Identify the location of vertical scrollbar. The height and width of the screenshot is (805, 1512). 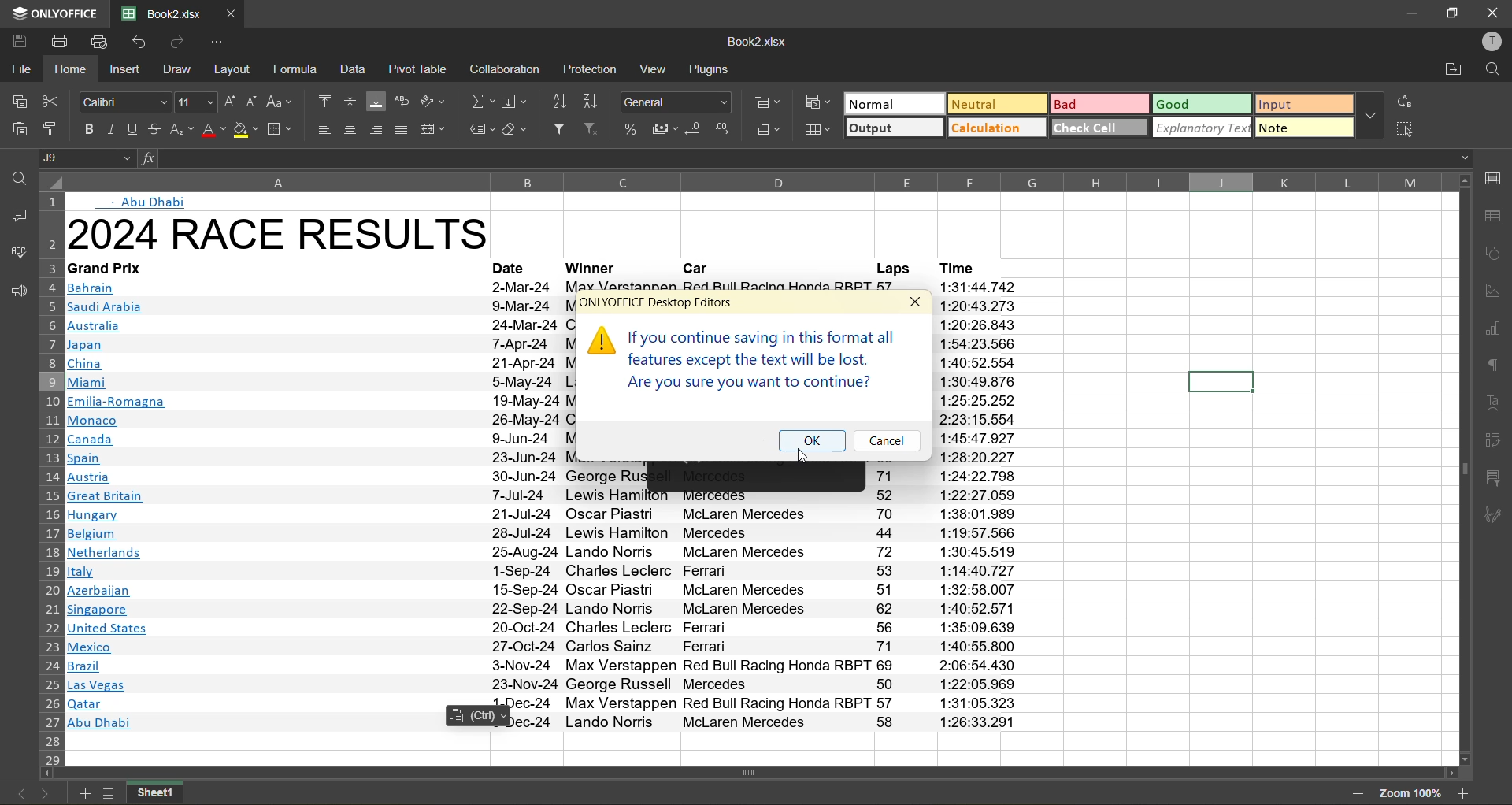
(1462, 469).